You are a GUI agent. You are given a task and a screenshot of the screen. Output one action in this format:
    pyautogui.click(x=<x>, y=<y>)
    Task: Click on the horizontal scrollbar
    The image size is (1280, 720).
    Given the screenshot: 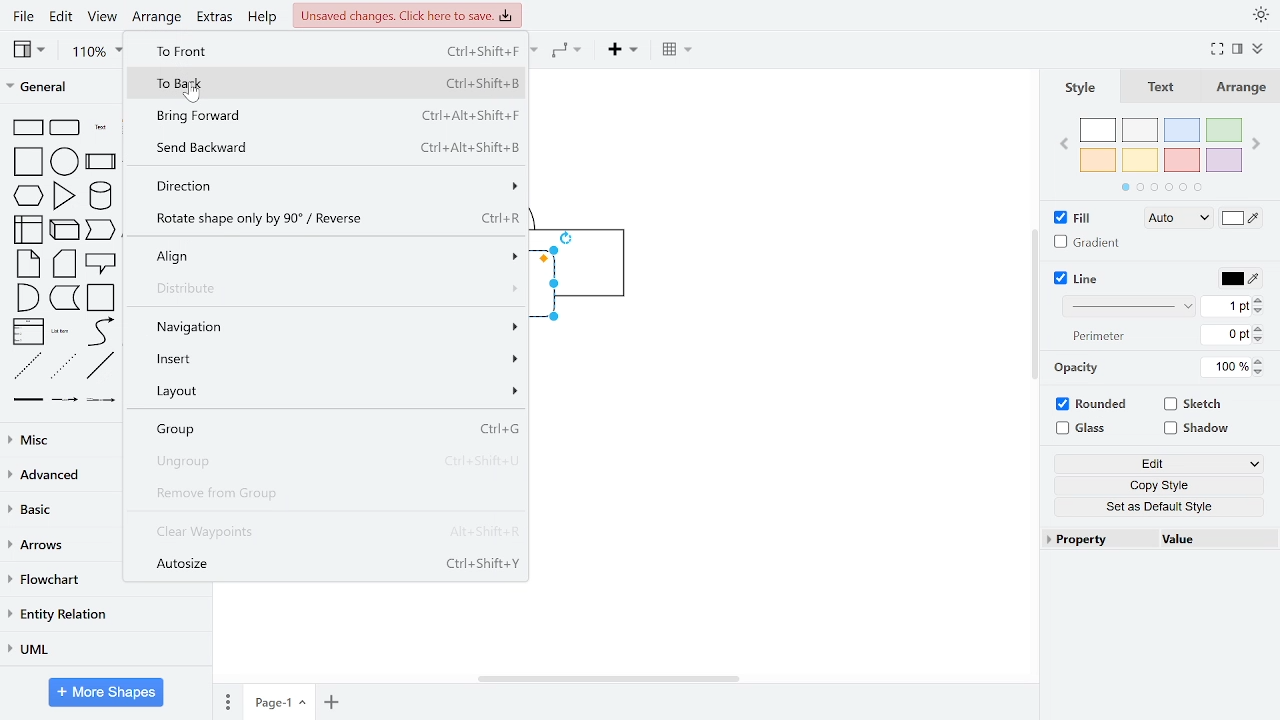 What is the action you would take?
    pyautogui.click(x=610, y=680)
    